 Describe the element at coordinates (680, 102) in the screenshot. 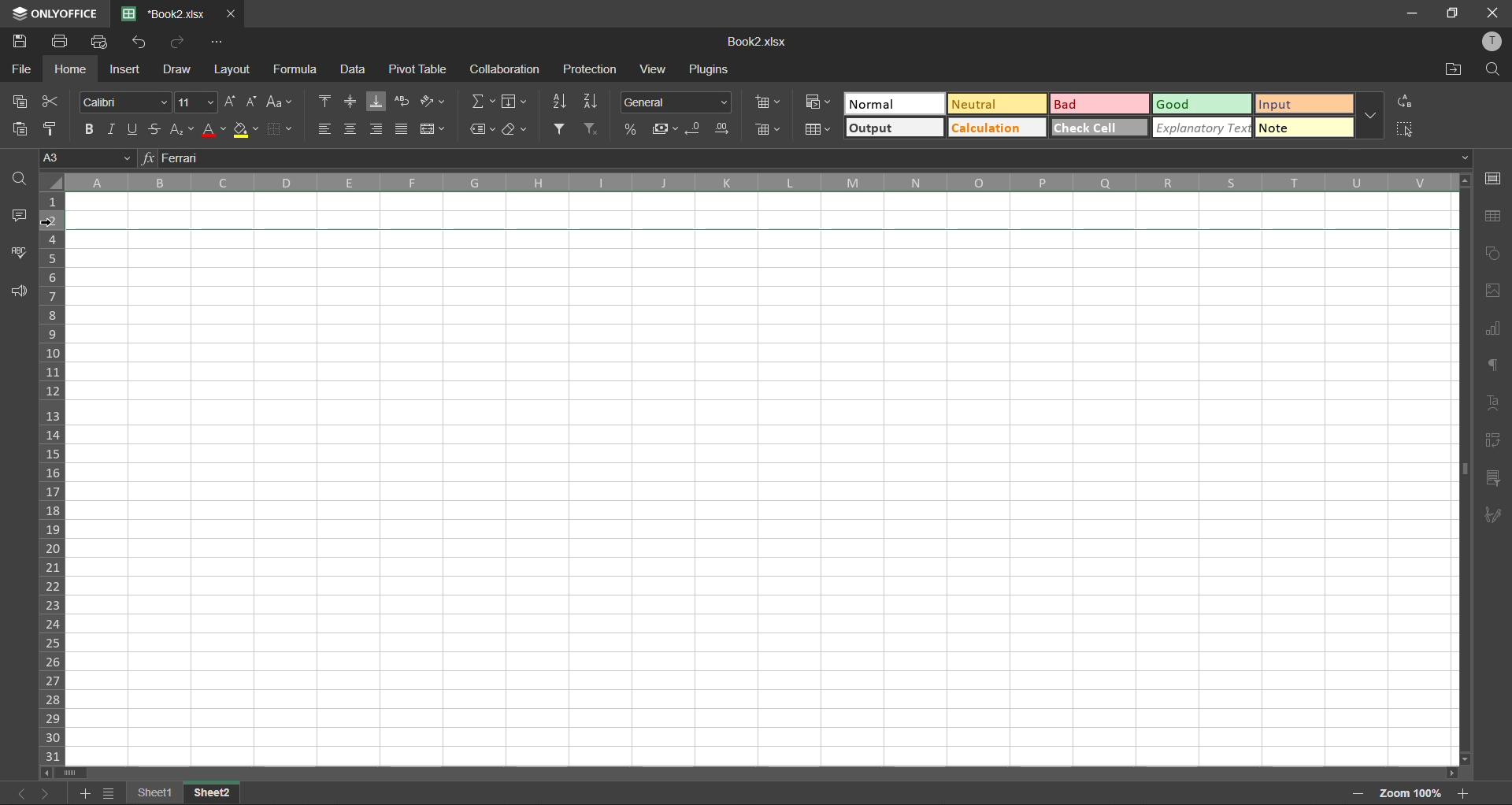

I see `number format` at that location.